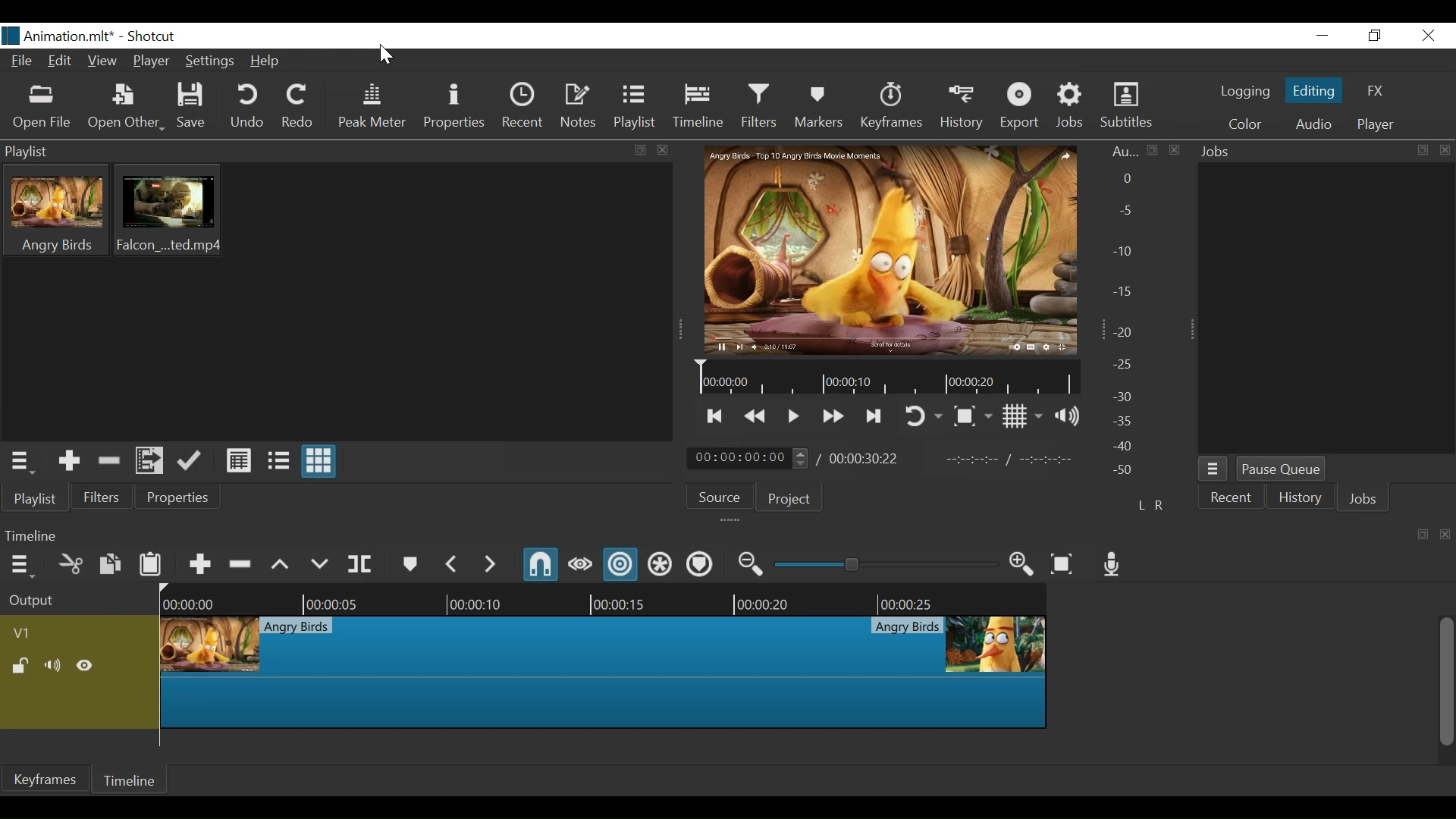 This screenshot has width=1456, height=819. What do you see at coordinates (886, 563) in the screenshot?
I see `Zoom Slider` at bounding box center [886, 563].